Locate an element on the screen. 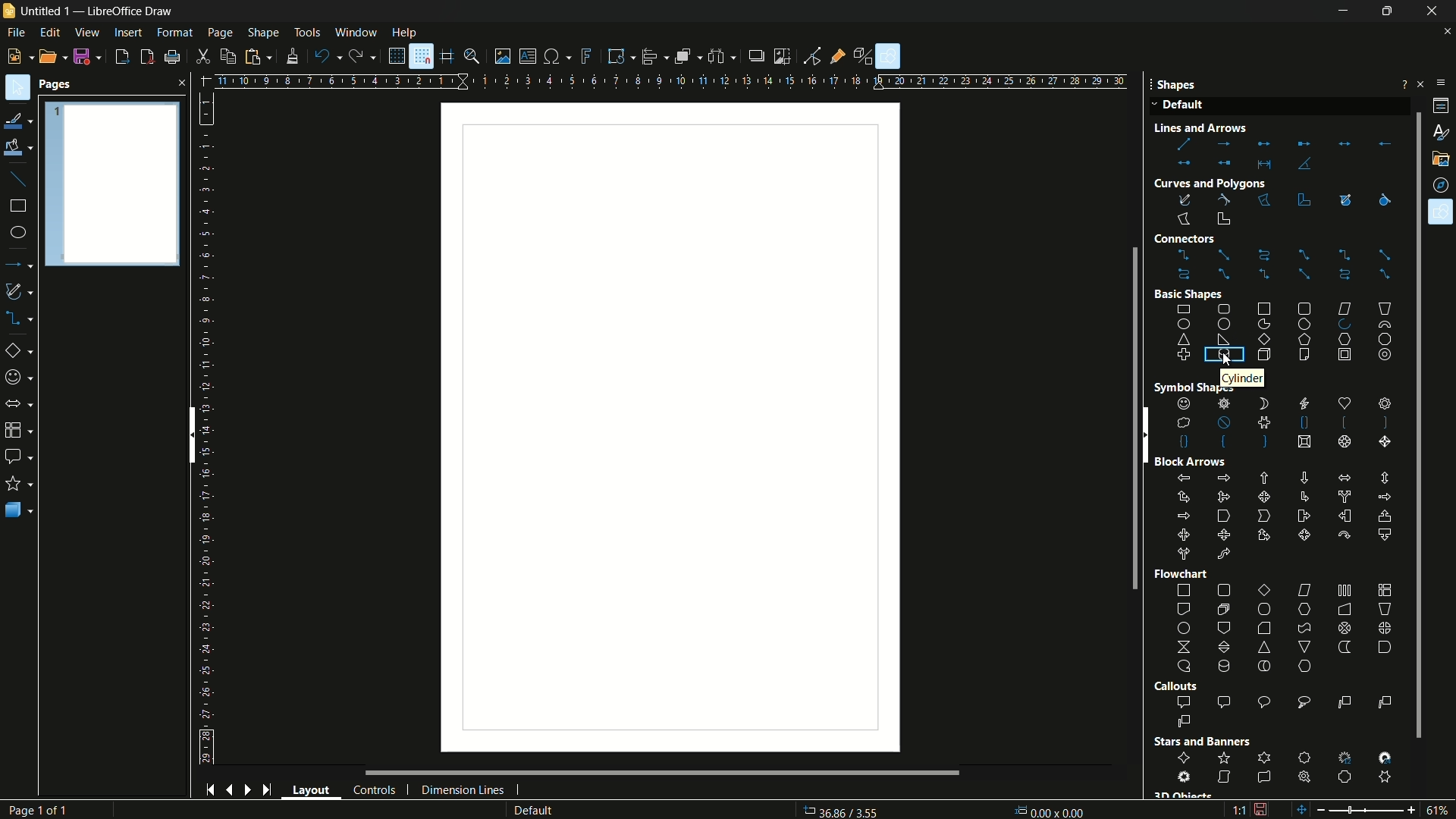  crop is located at coordinates (781, 56).